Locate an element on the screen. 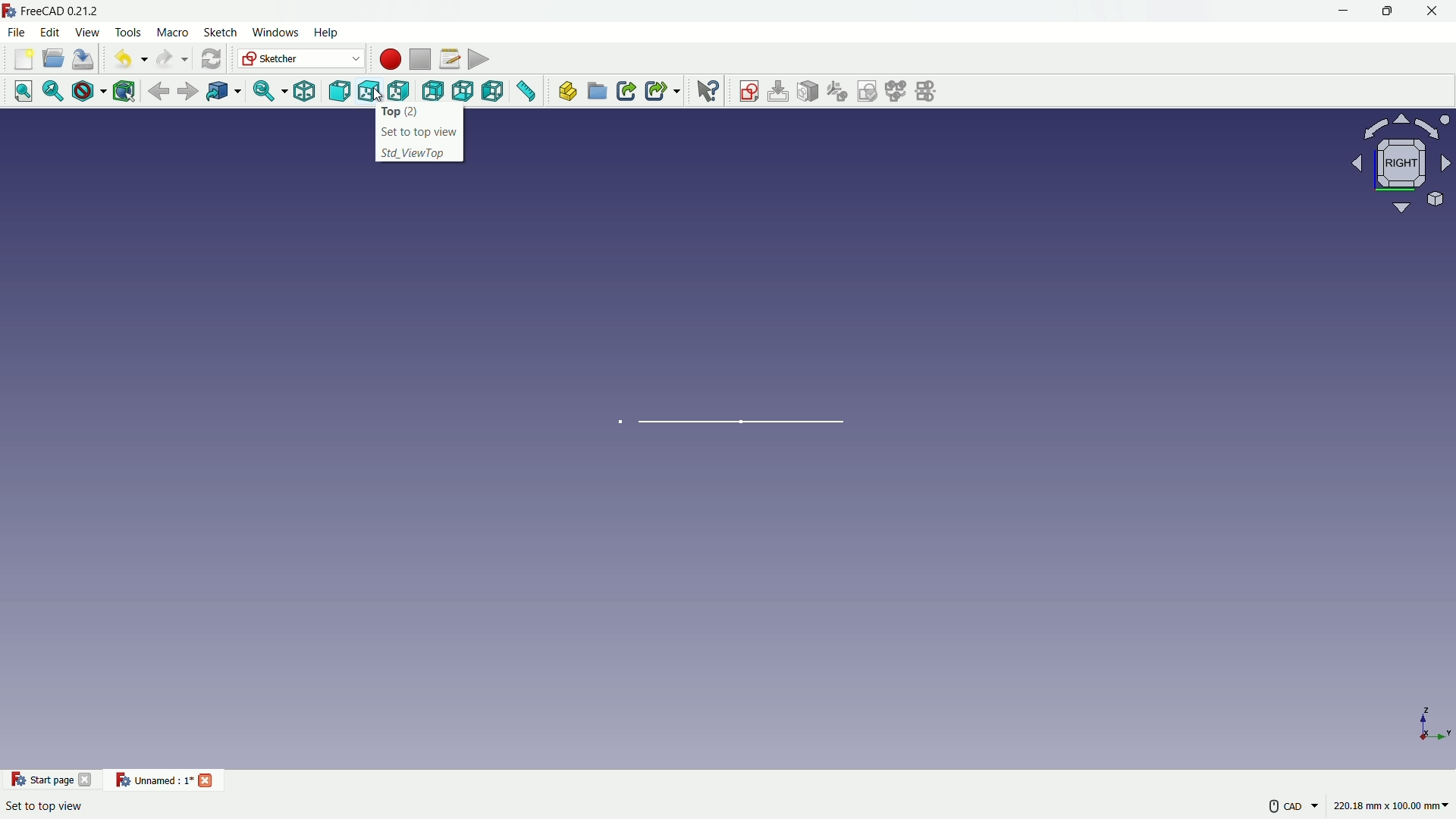  sketch menu is located at coordinates (222, 34).